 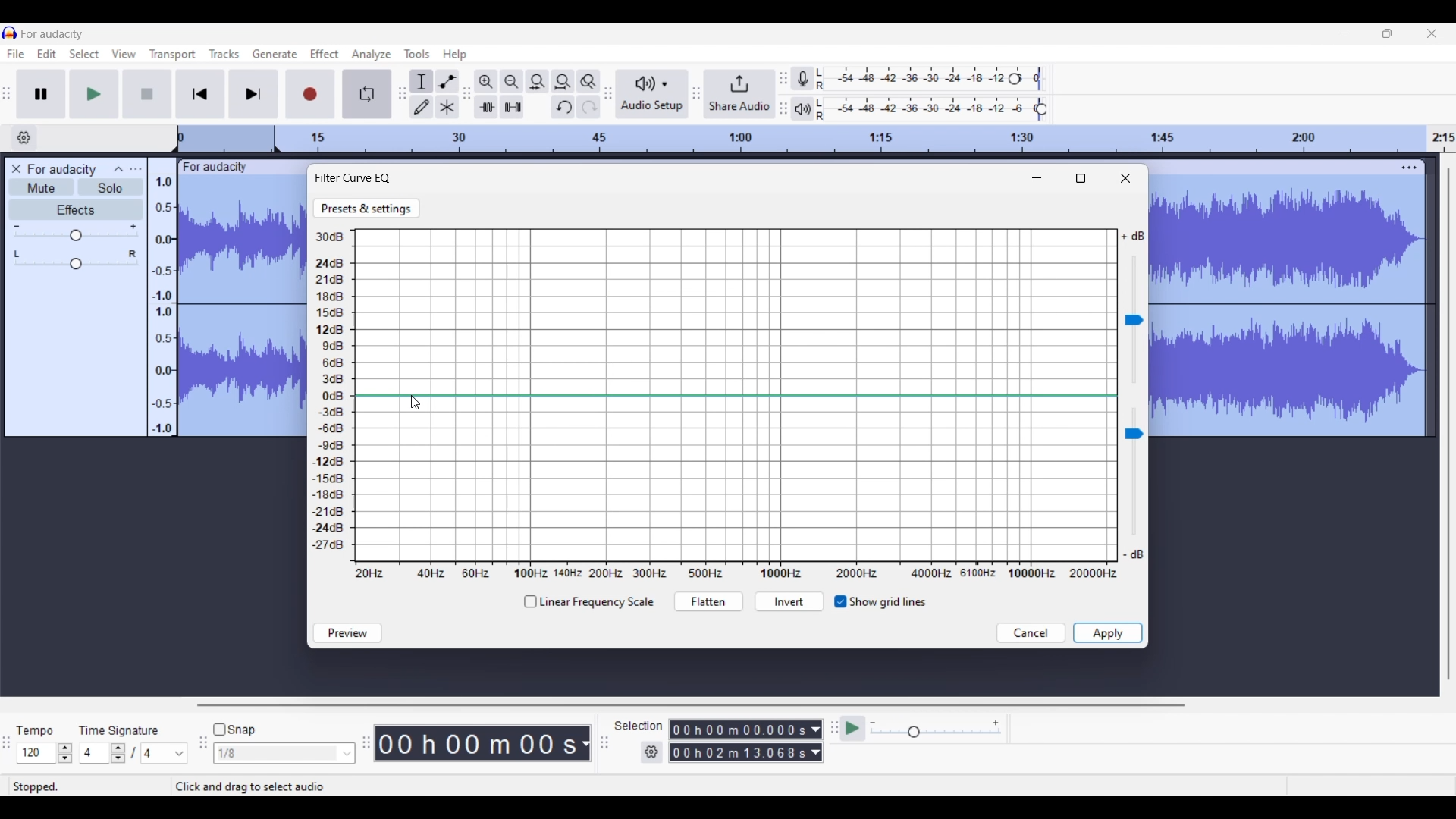 What do you see at coordinates (1125, 178) in the screenshot?
I see `Close window` at bounding box center [1125, 178].